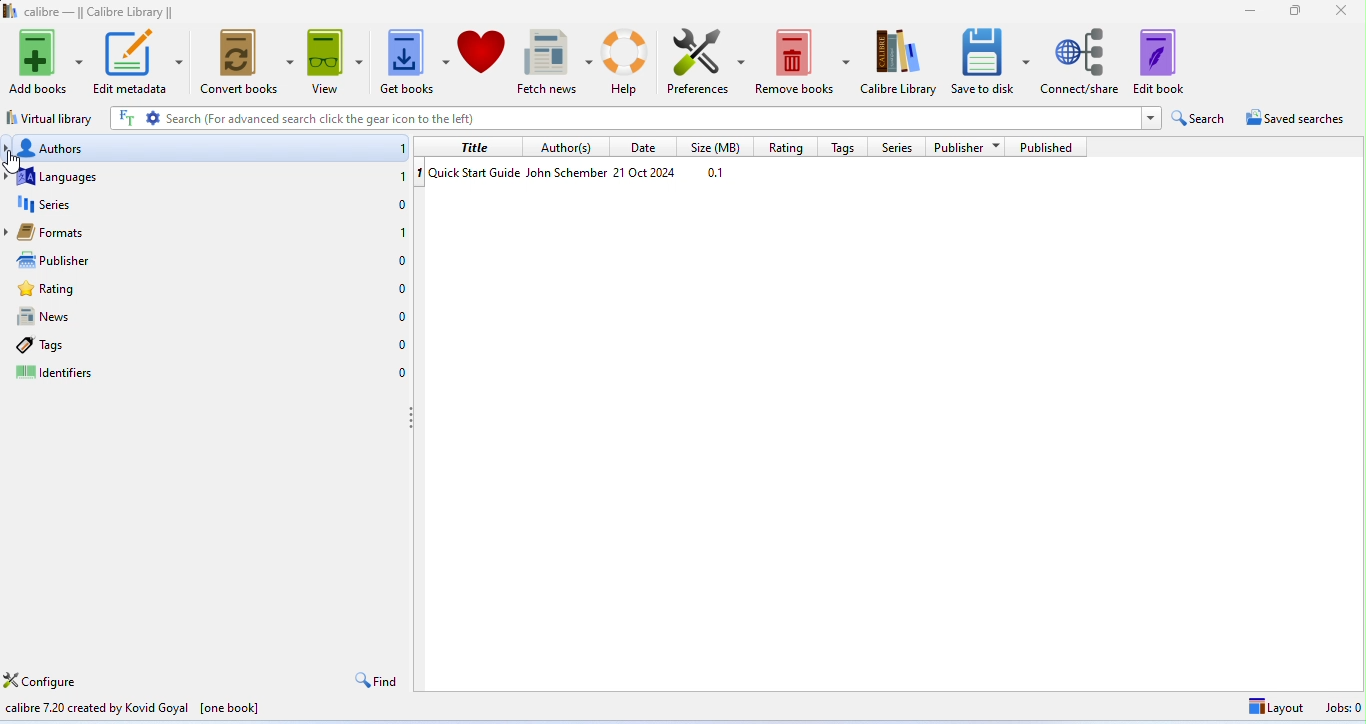  I want to click on edit metadata, so click(139, 61).